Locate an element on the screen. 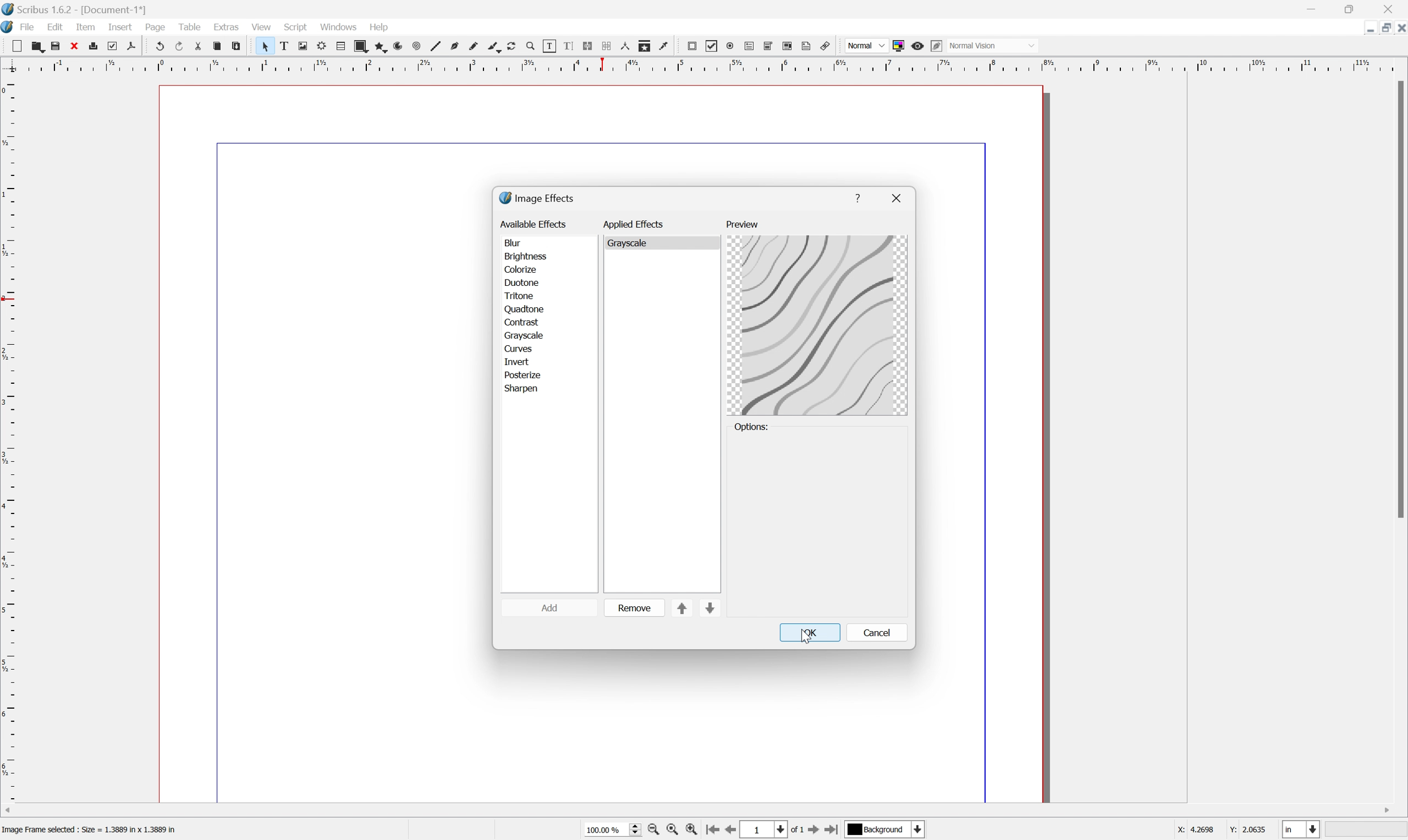  options: is located at coordinates (754, 427).